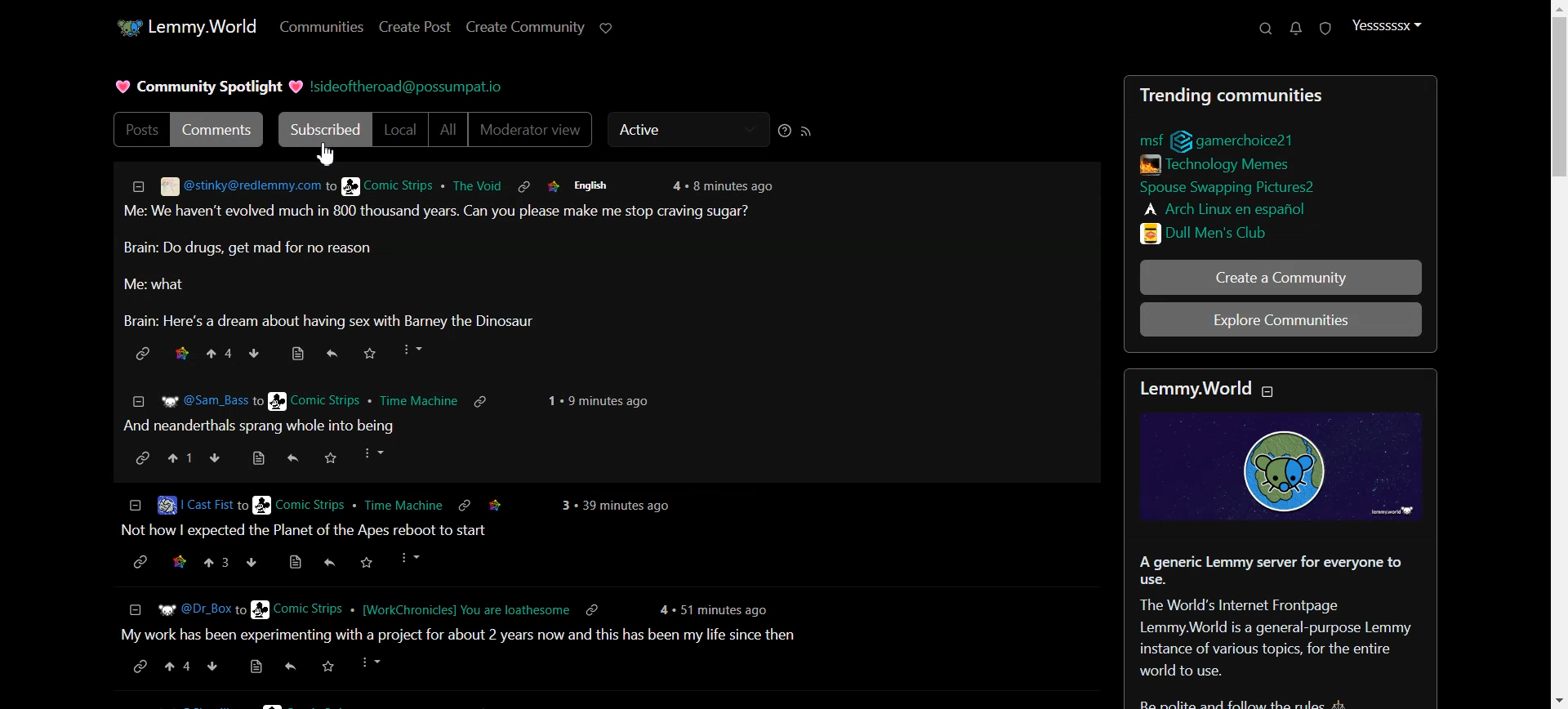 The height and width of the screenshot is (709, 1568). I want to click on Create Post, so click(415, 26).